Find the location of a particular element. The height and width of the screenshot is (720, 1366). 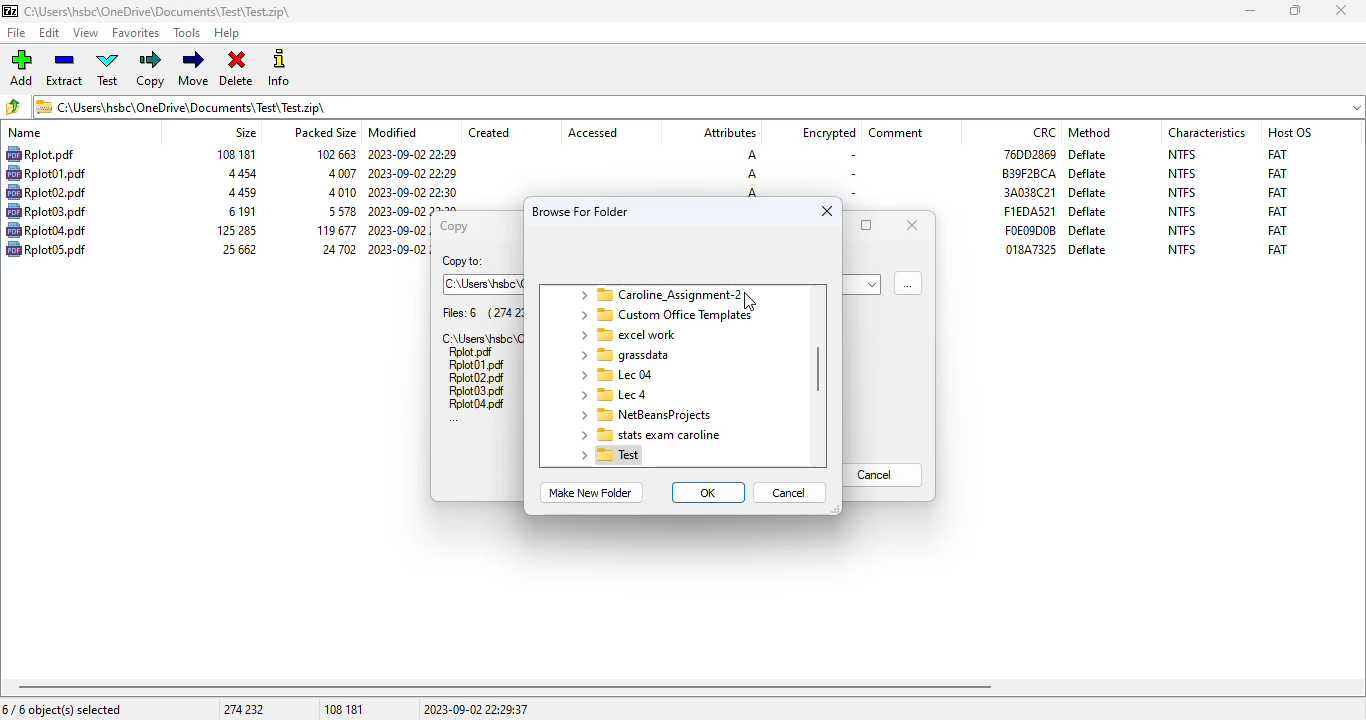

folder name is located at coordinates (614, 374).